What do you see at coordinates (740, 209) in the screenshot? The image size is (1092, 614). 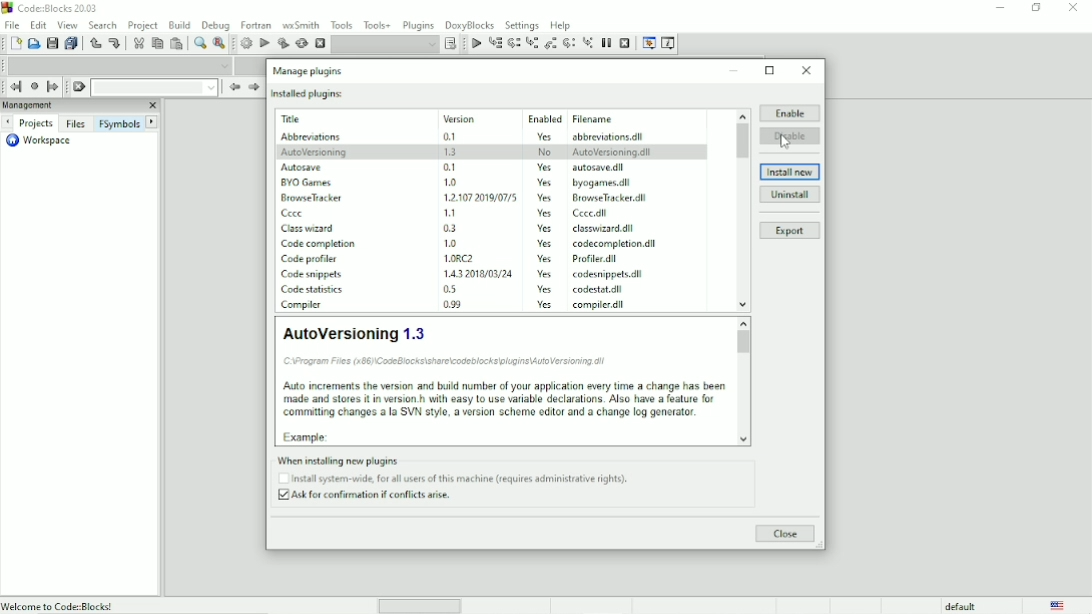 I see `Vertical scrollbar` at bounding box center [740, 209].